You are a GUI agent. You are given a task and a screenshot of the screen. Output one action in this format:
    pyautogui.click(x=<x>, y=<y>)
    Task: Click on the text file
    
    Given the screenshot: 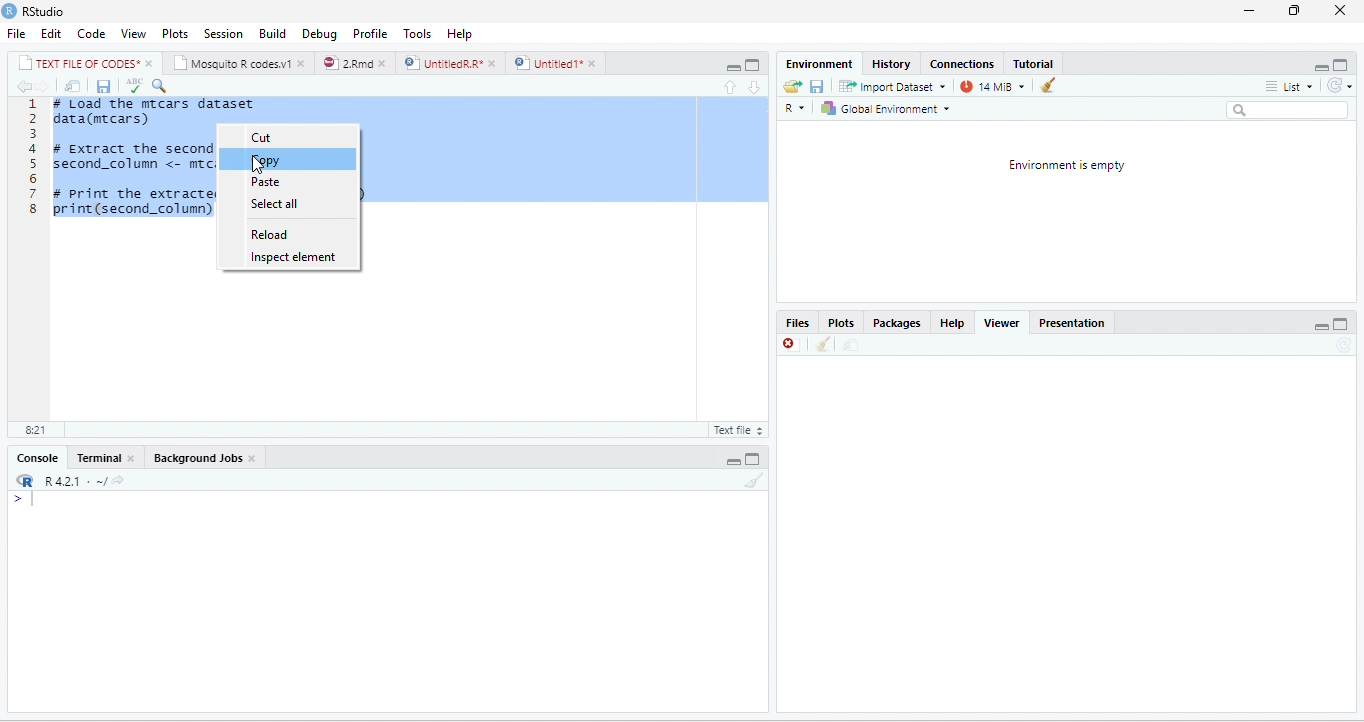 What is the action you would take?
    pyautogui.click(x=737, y=431)
    